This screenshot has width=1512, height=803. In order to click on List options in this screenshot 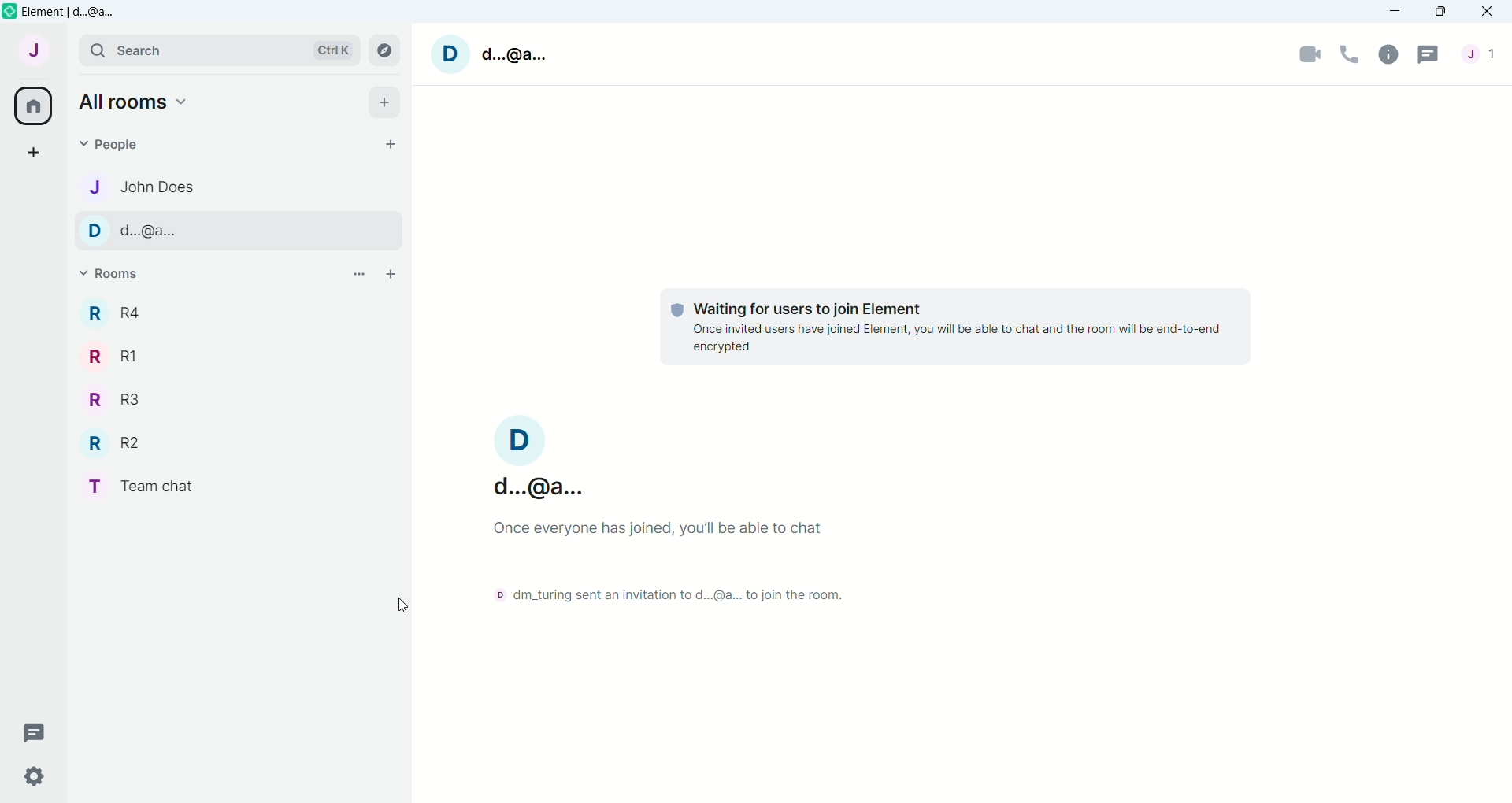, I will do `click(360, 274)`.